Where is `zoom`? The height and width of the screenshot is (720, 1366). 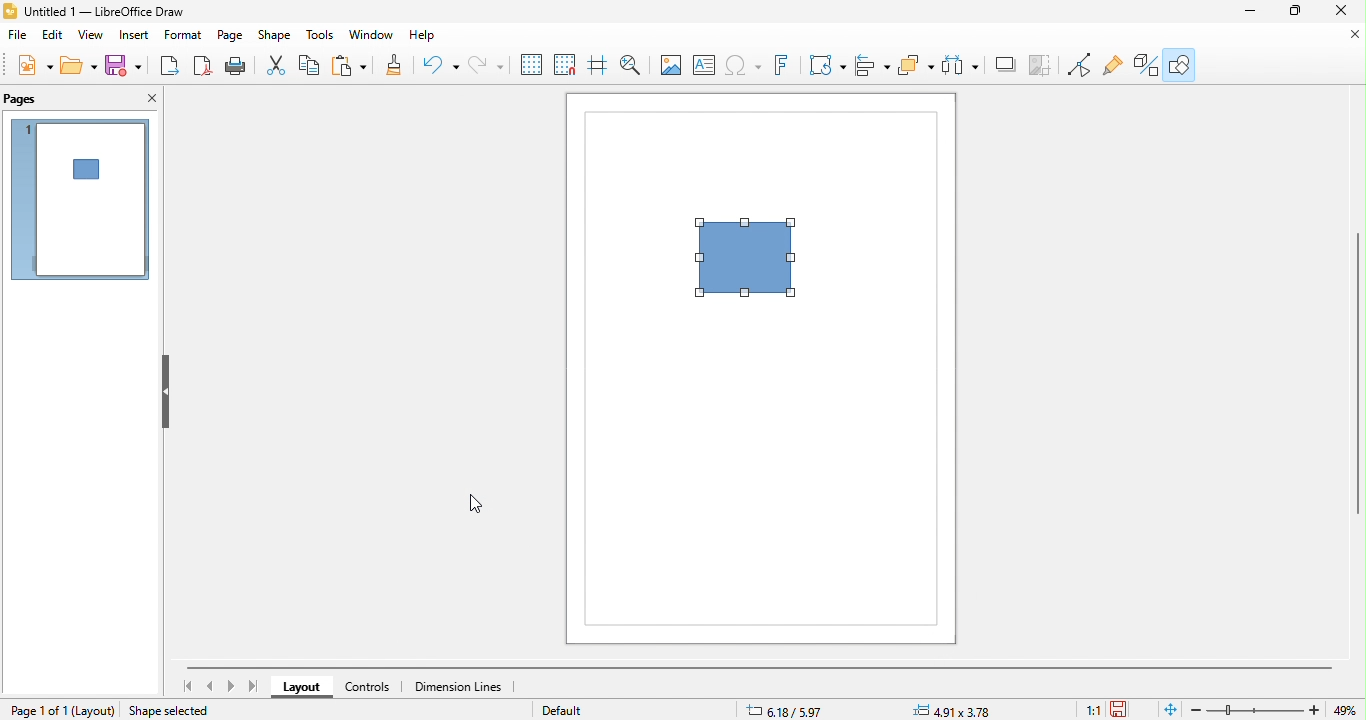 zoom is located at coordinates (1257, 710).